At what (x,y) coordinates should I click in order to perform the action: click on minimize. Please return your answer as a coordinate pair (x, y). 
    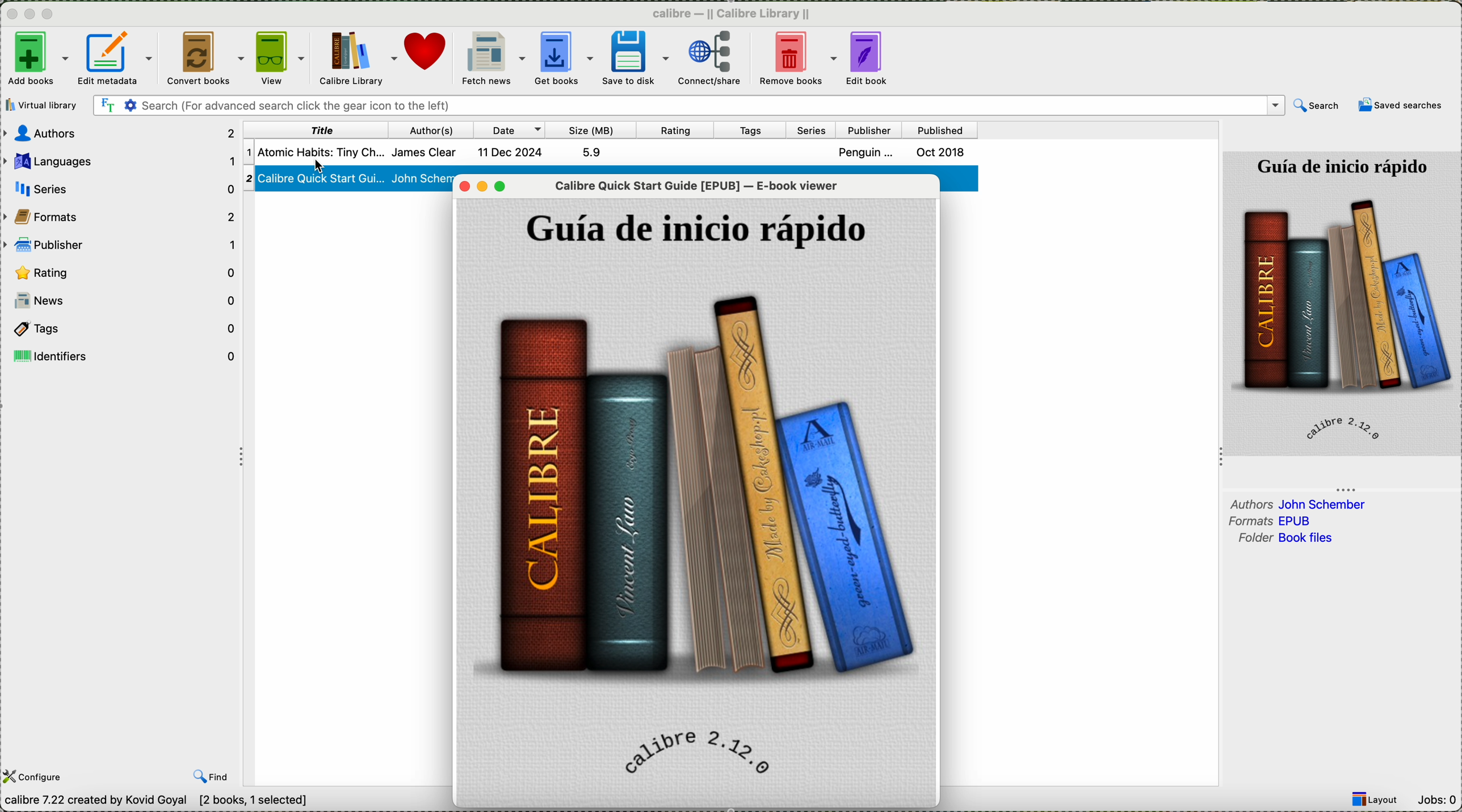
    Looking at the image, I should click on (28, 15).